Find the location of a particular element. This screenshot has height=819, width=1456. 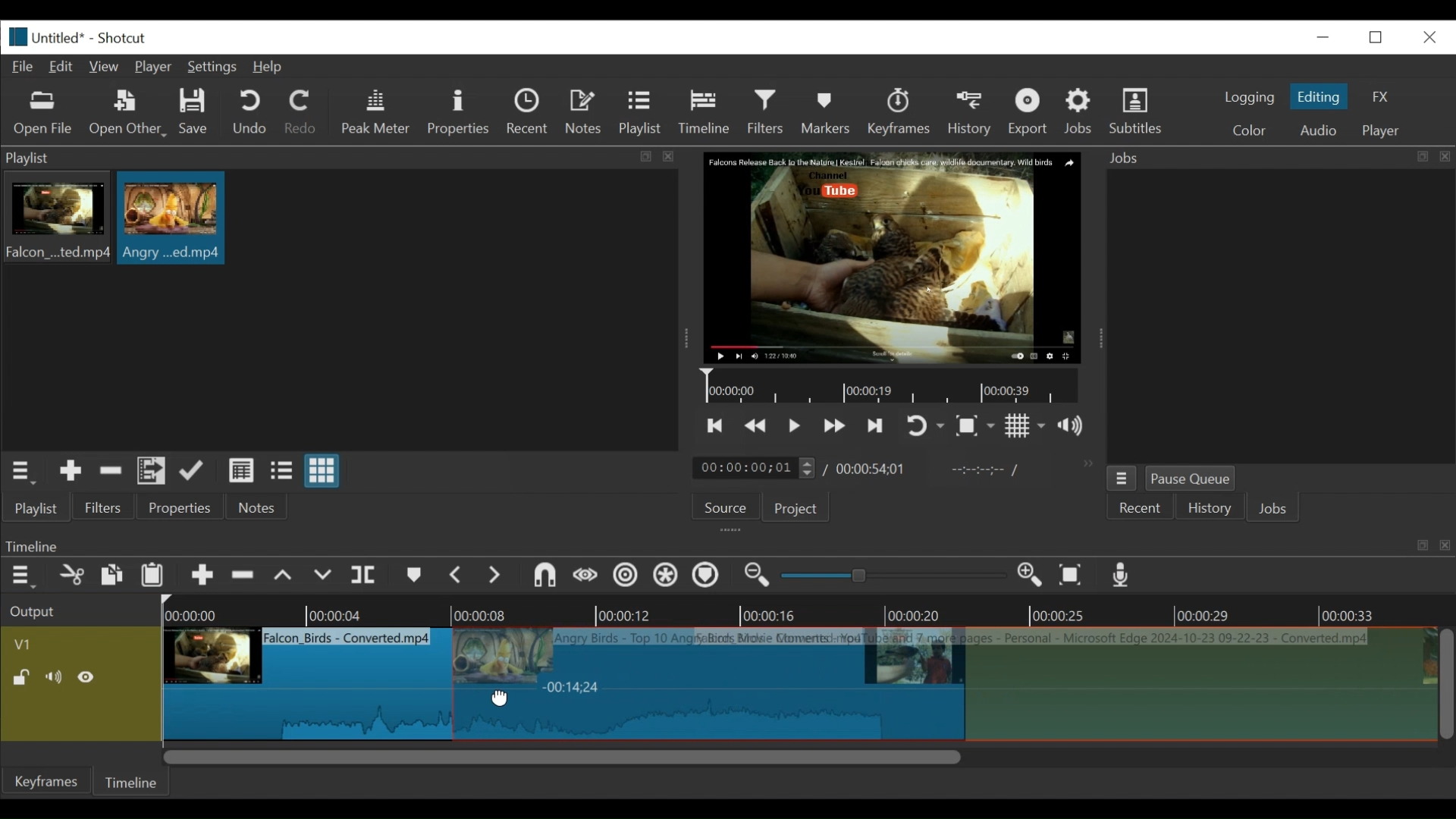

close is located at coordinates (1428, 36).